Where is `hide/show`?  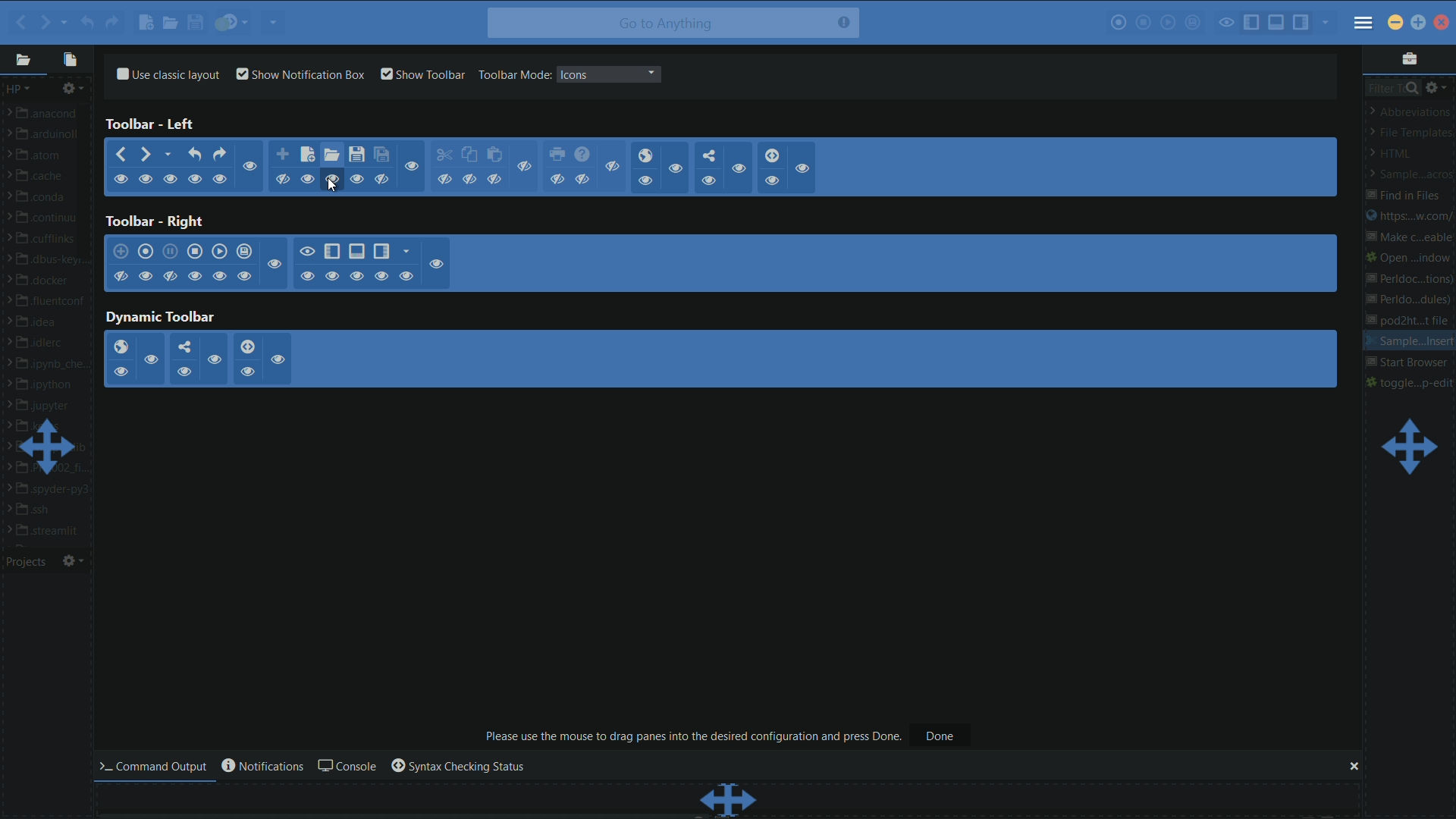 hide/show is located at coordinates (406, 276).